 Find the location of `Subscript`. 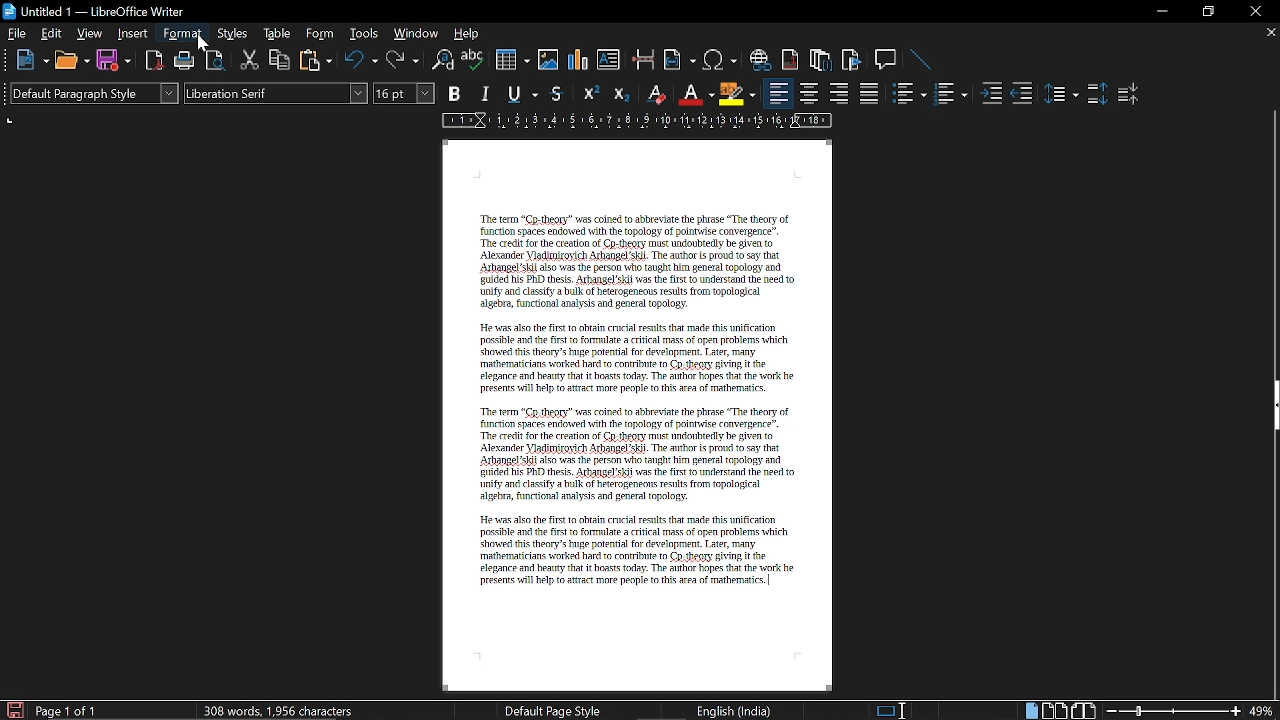

Subscript is located at coordinates (621, 93).